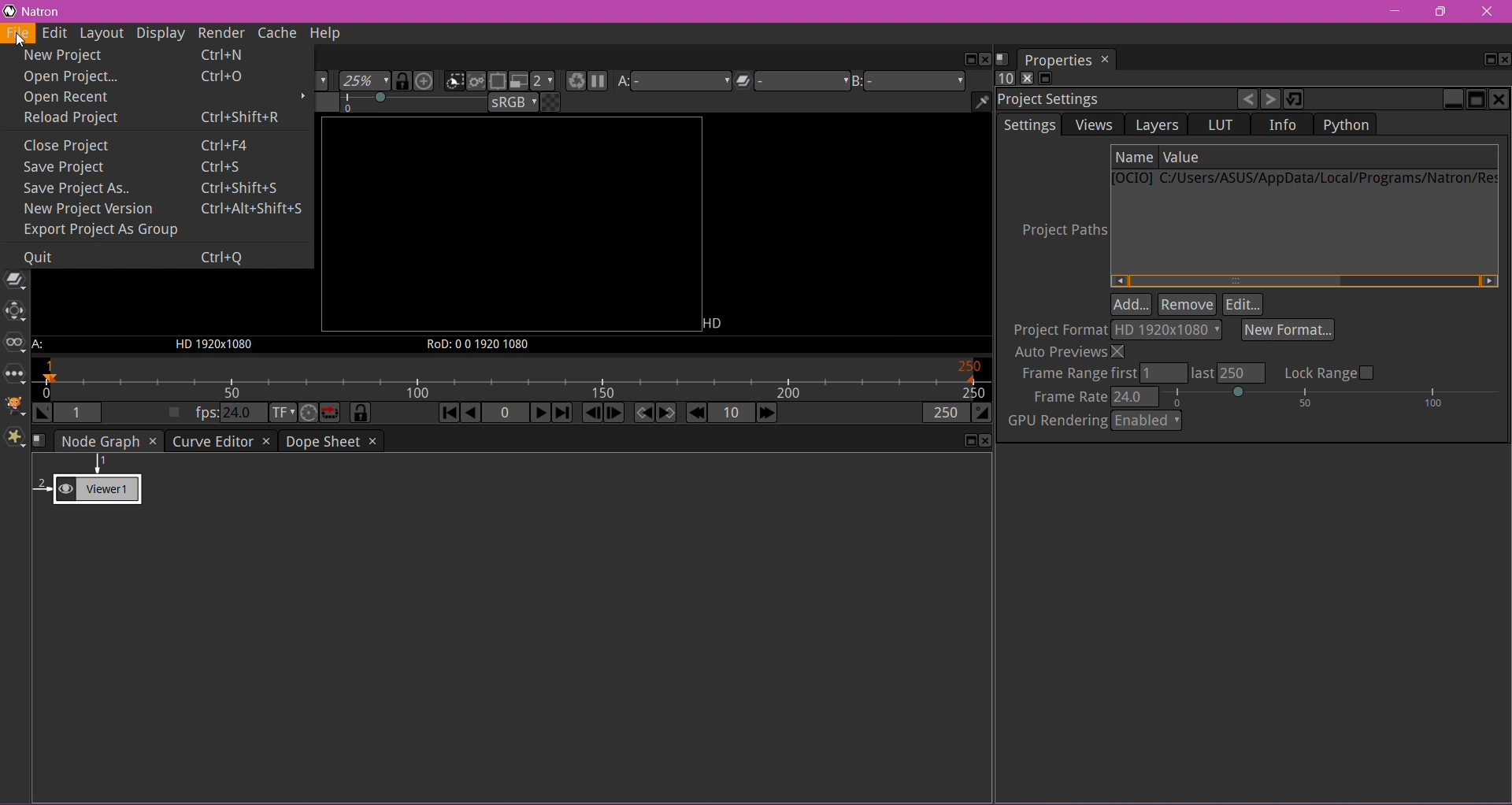  Describe the element at coordinates (1131, 305) in the screenshot. I see `` at that location.